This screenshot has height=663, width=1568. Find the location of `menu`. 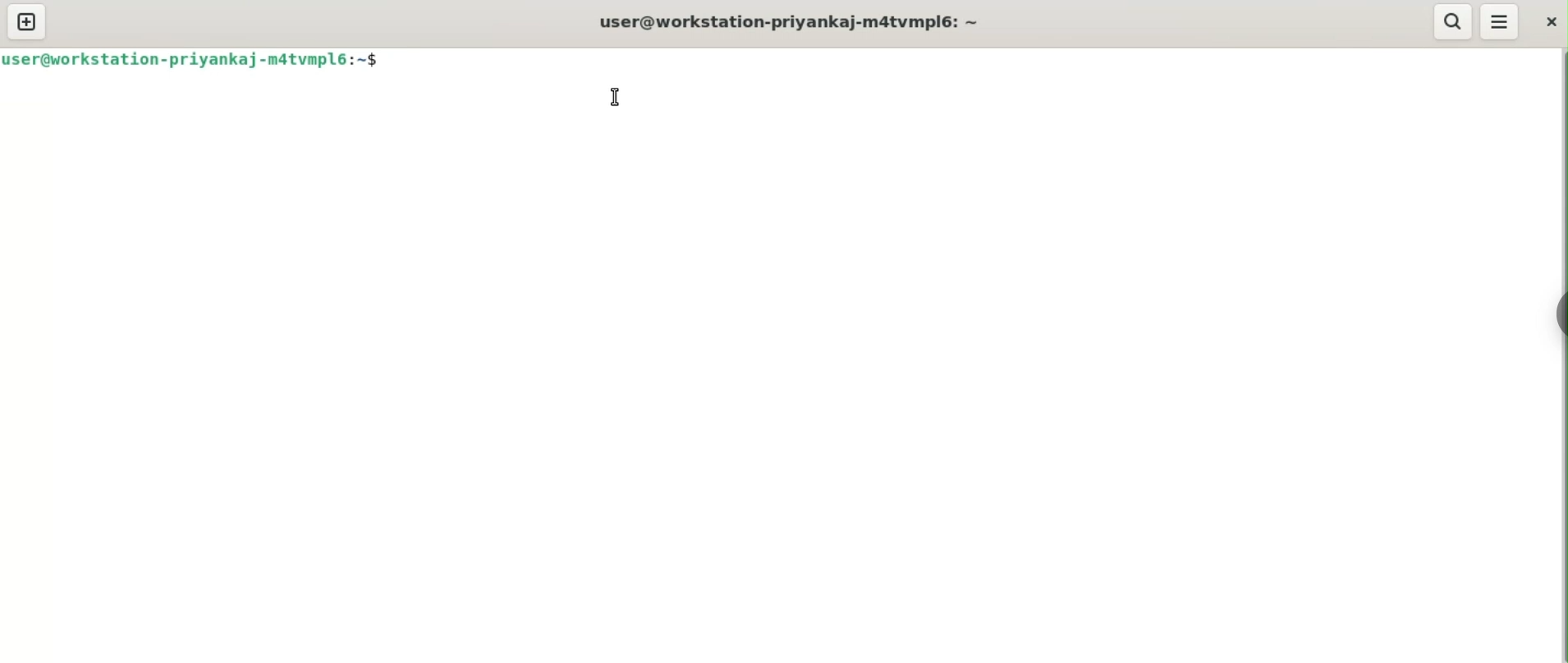

menu is located at coordinates (1499, 22).